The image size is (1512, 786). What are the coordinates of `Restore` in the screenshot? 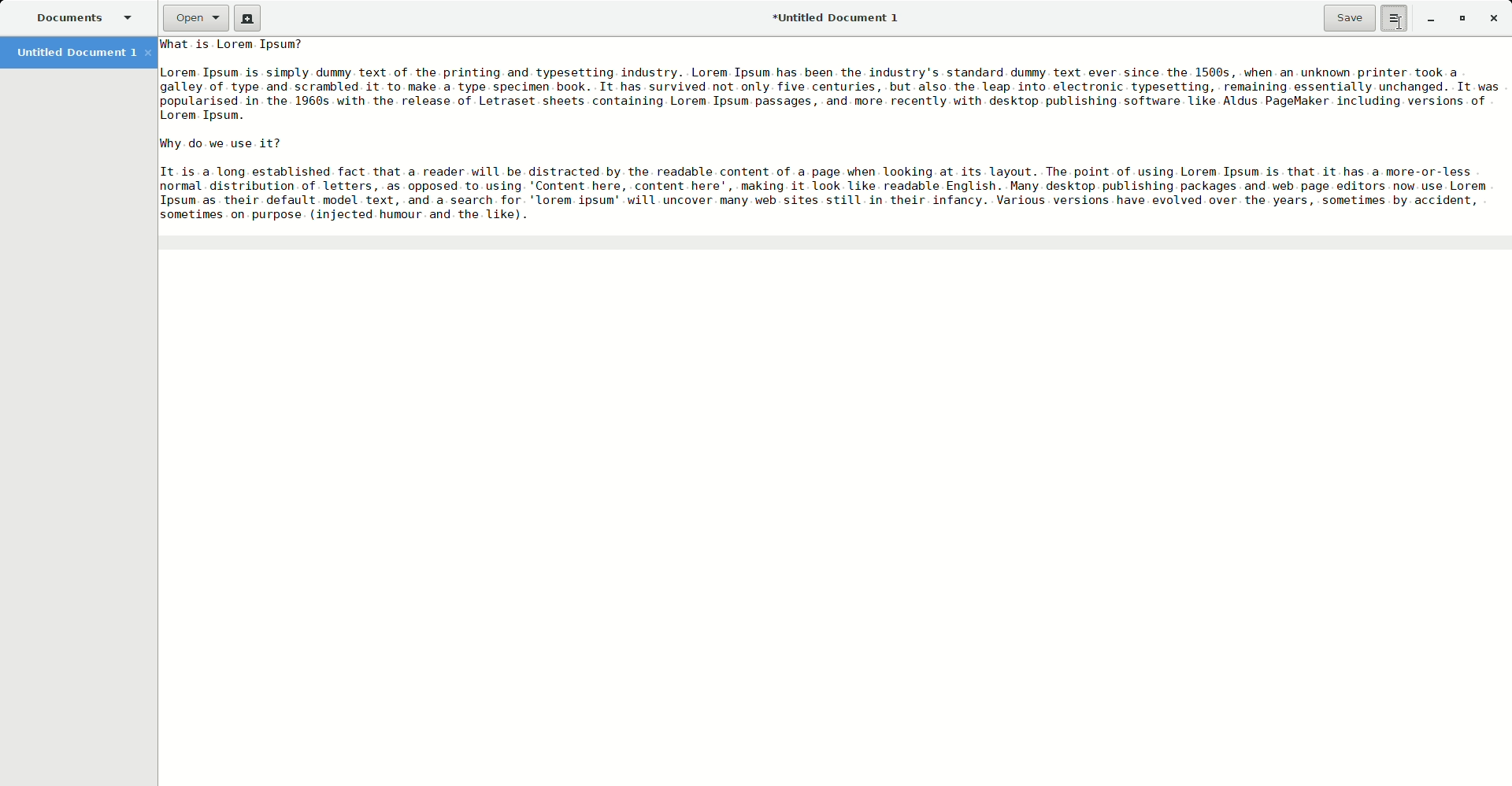 It's located at (1458, 19).